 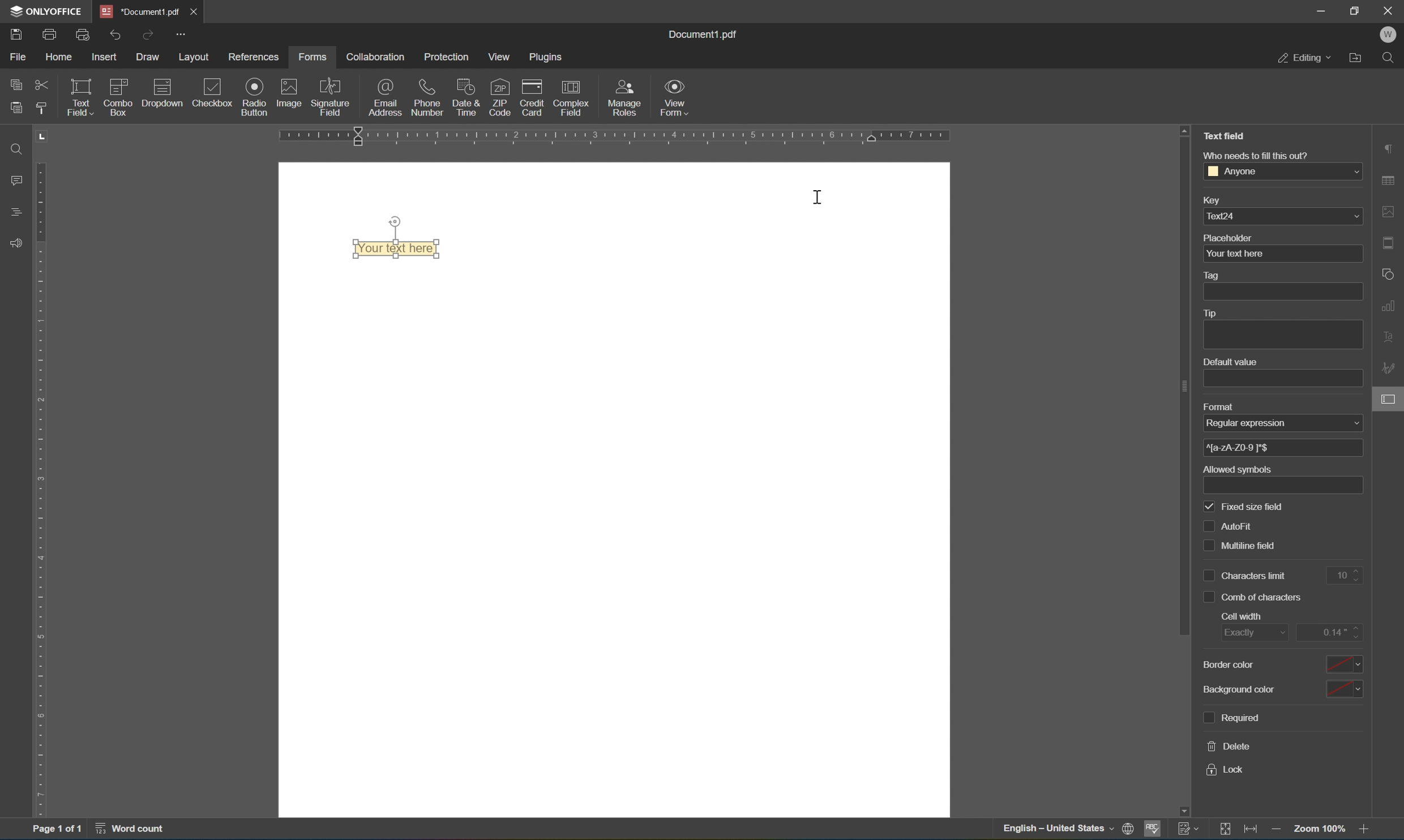 What do you see at coordinates (149, 57) in the screenshot?
I see `draw` at bounding box center [149, 57].